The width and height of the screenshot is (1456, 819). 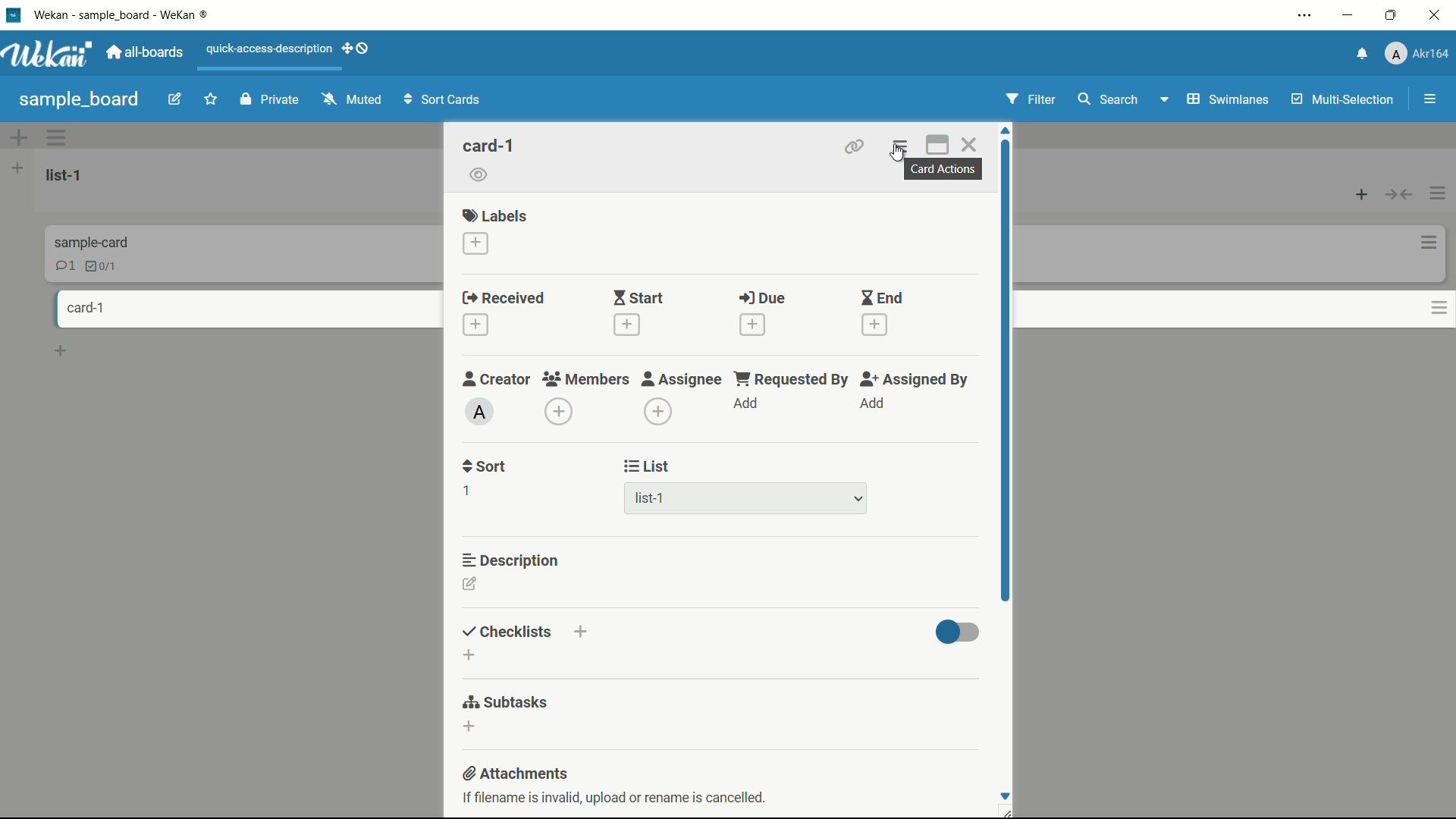 I want to click on assigned by, so click(x=914, y=381).